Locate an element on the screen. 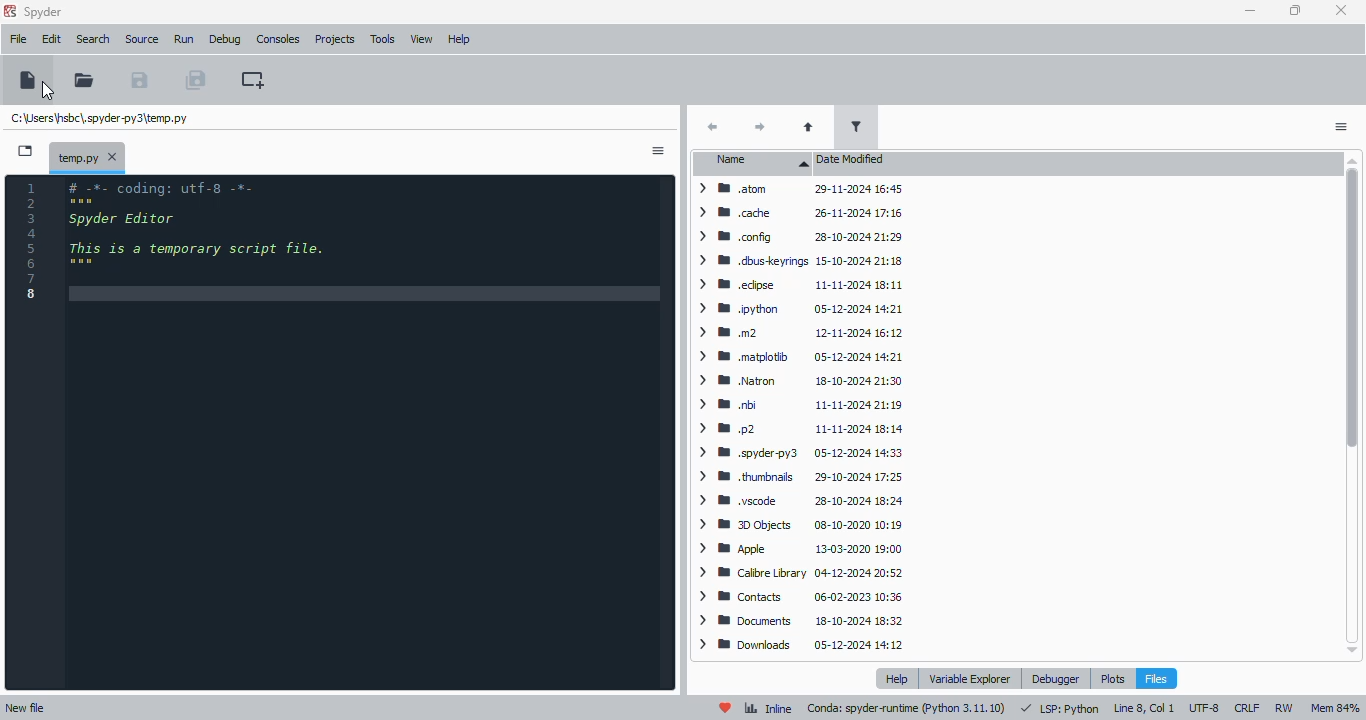  new file is located at coordinates (29, 80).